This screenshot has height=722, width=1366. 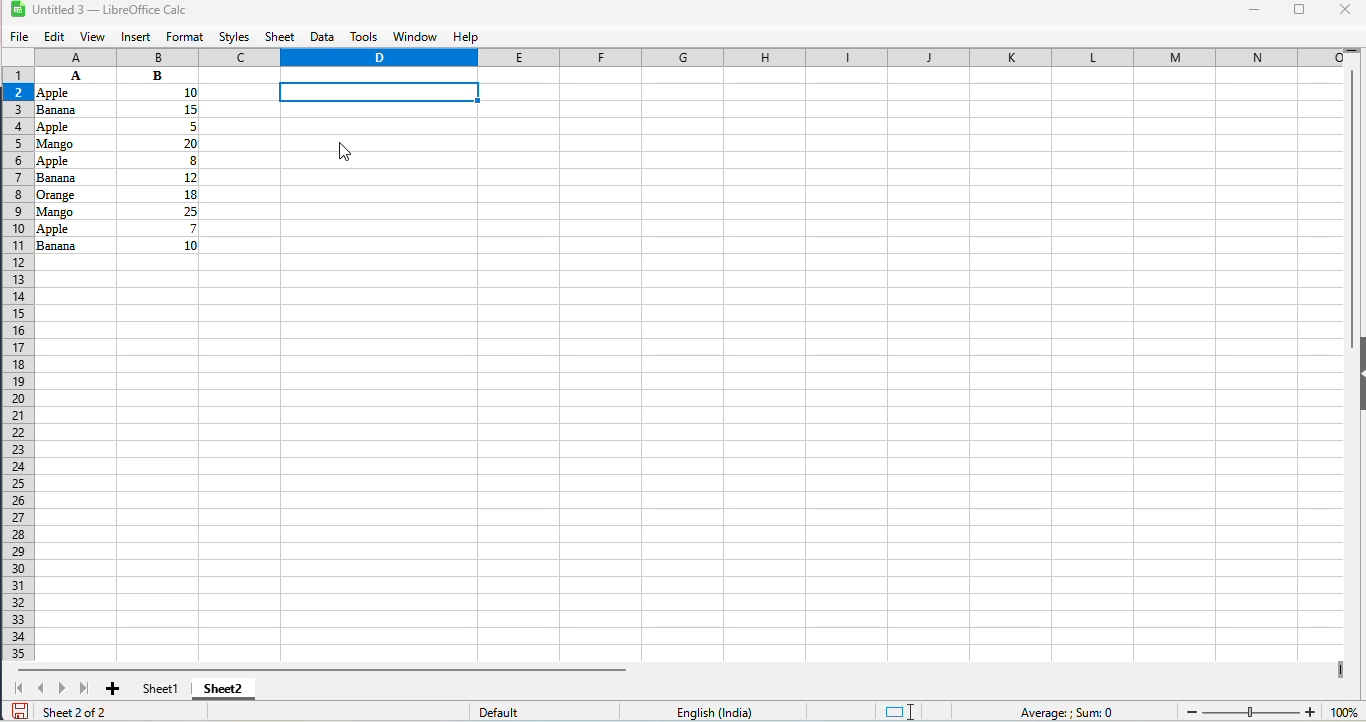 I want to click on current celll, so click(x=379, y=92).